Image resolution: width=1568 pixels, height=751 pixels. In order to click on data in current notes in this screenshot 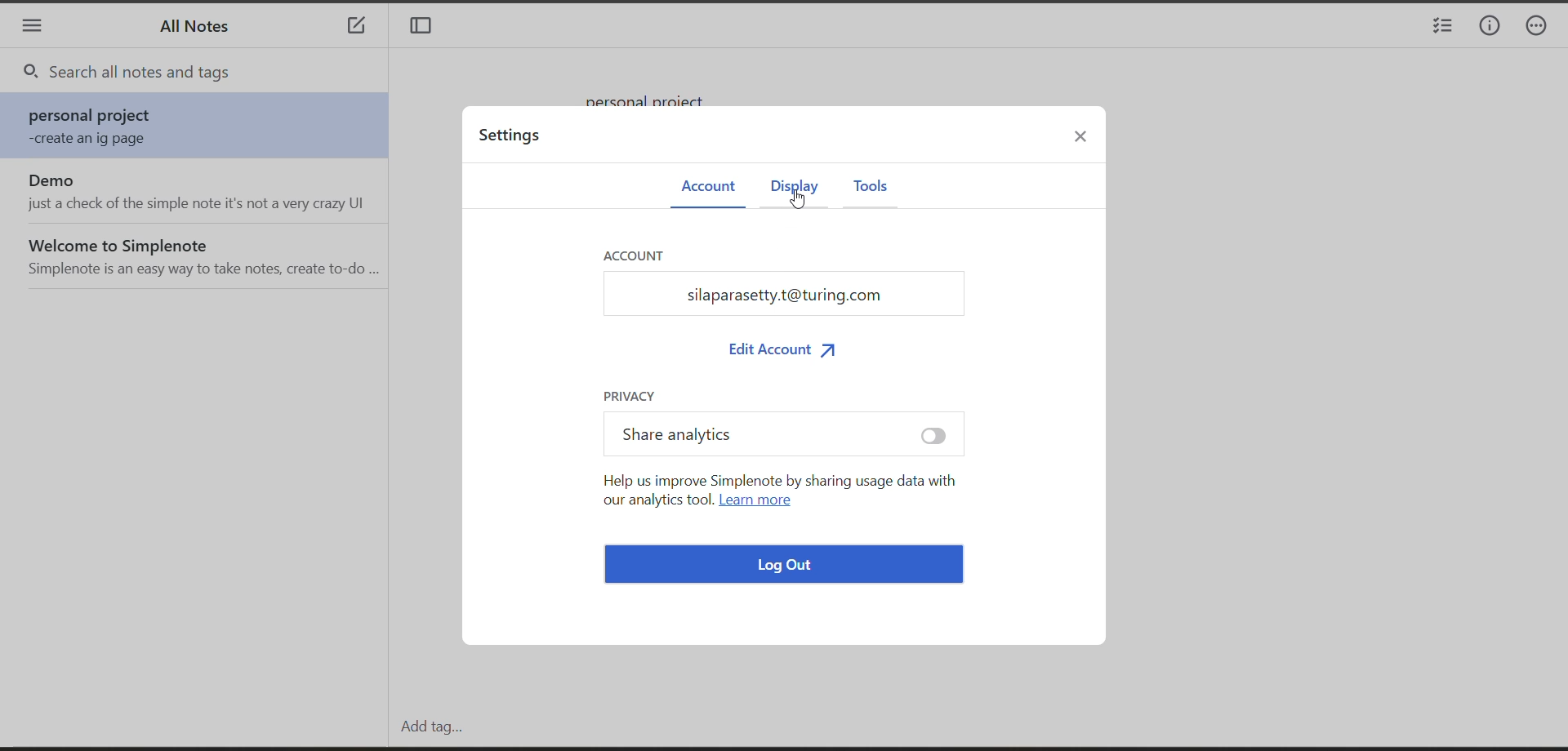, I will do `click(656, 94)`.